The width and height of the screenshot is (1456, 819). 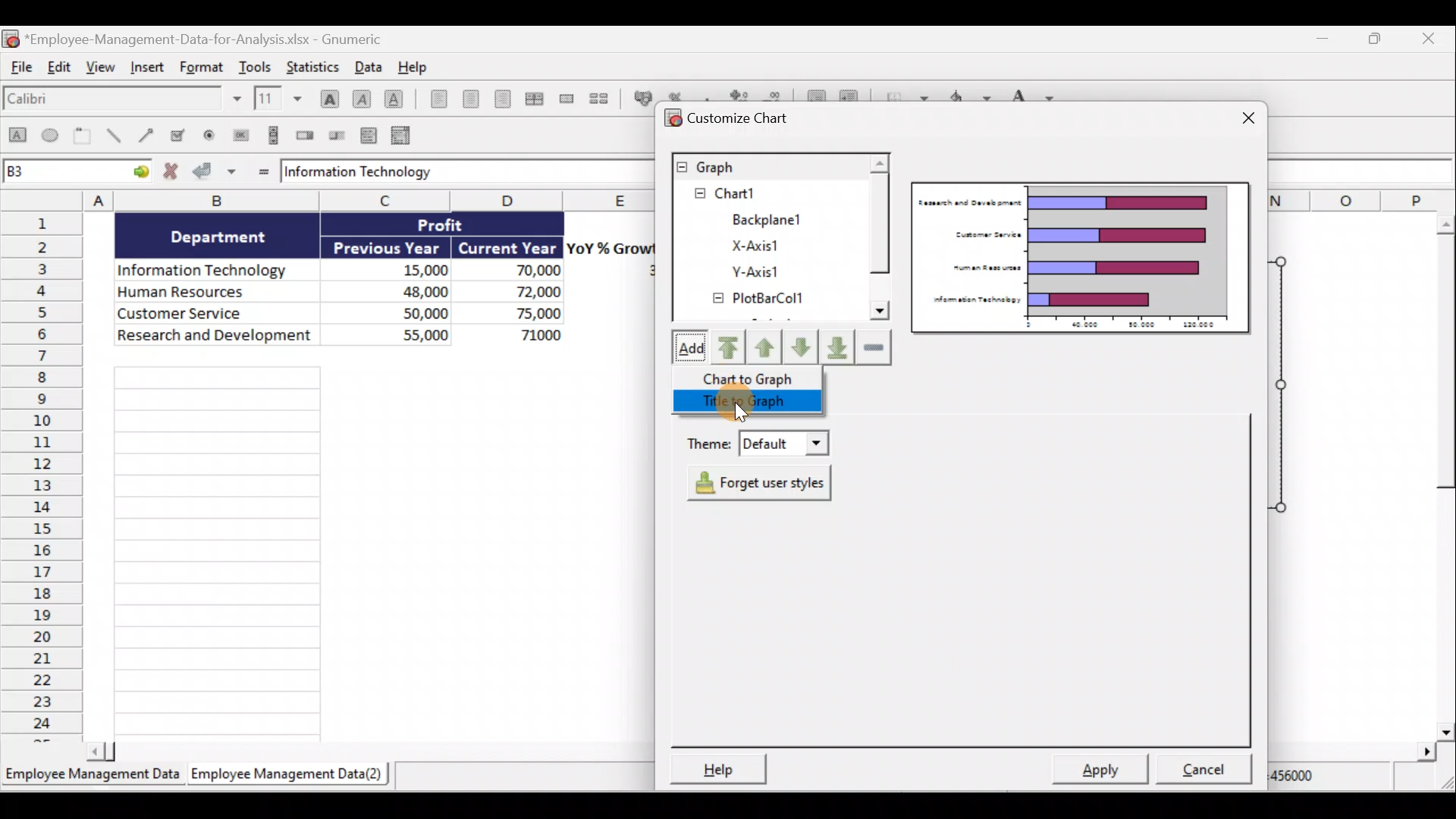 I want to click on Font name Calibri, so click(x=121, y=102).